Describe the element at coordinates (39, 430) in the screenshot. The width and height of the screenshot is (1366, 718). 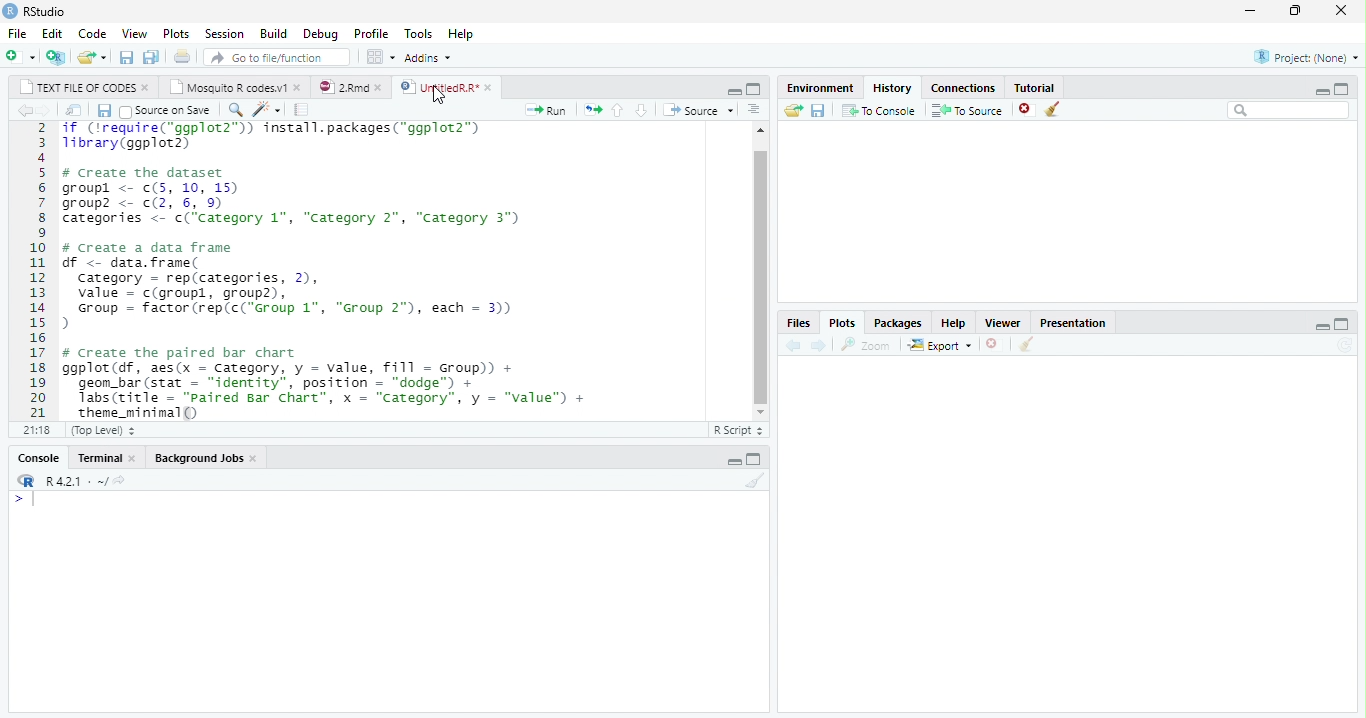
I see `21:18` at that location.